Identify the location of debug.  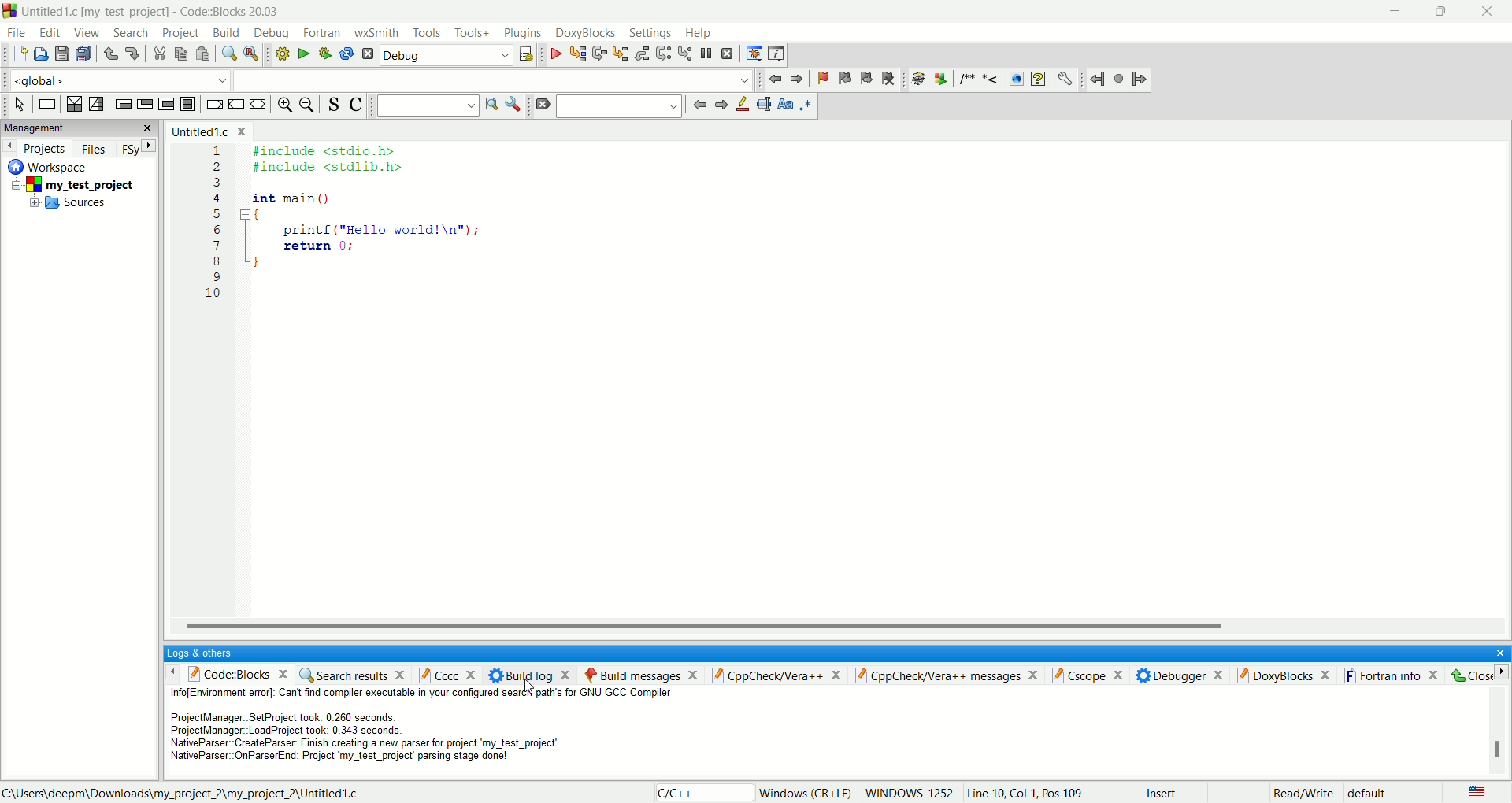
(271, 33).